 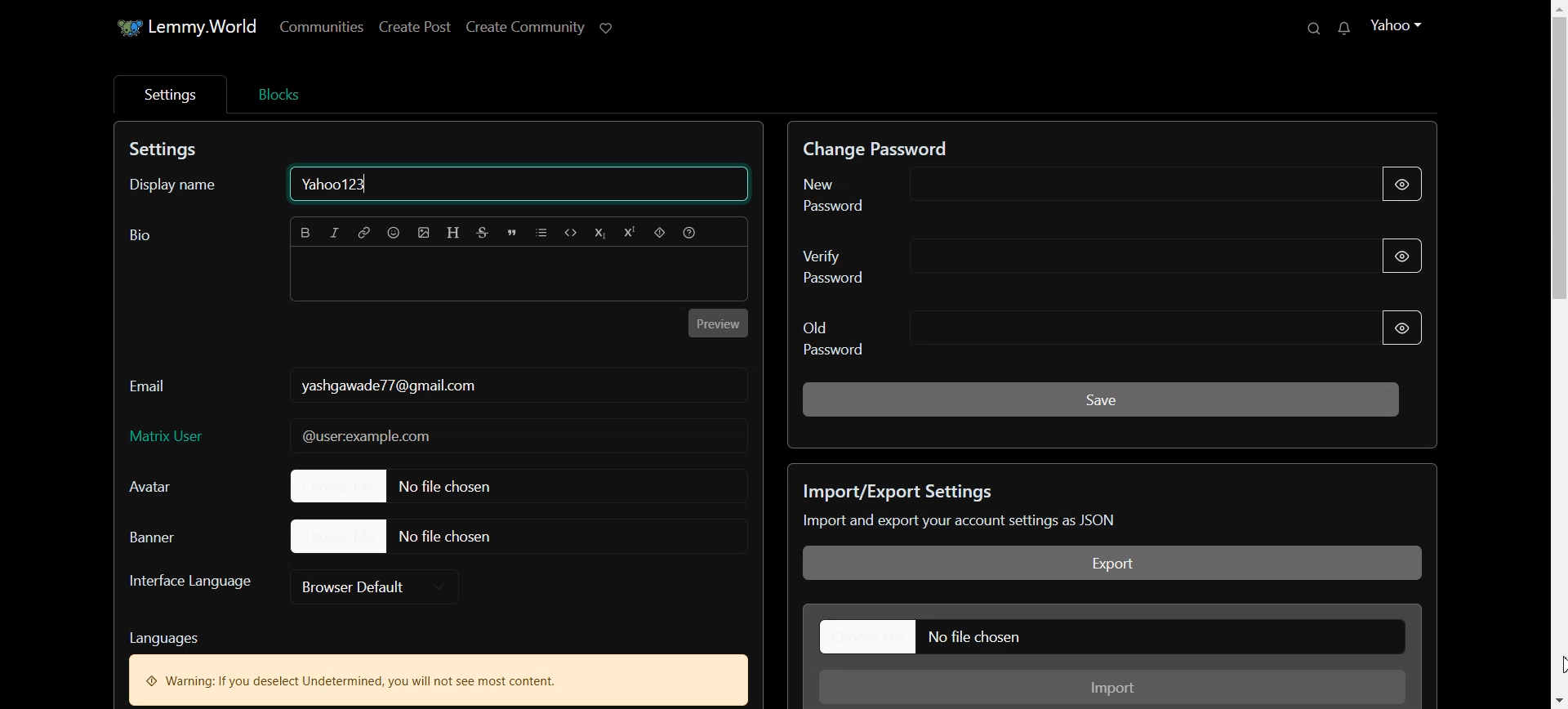 I want to click on Avatar, so click(x=167, y=487).